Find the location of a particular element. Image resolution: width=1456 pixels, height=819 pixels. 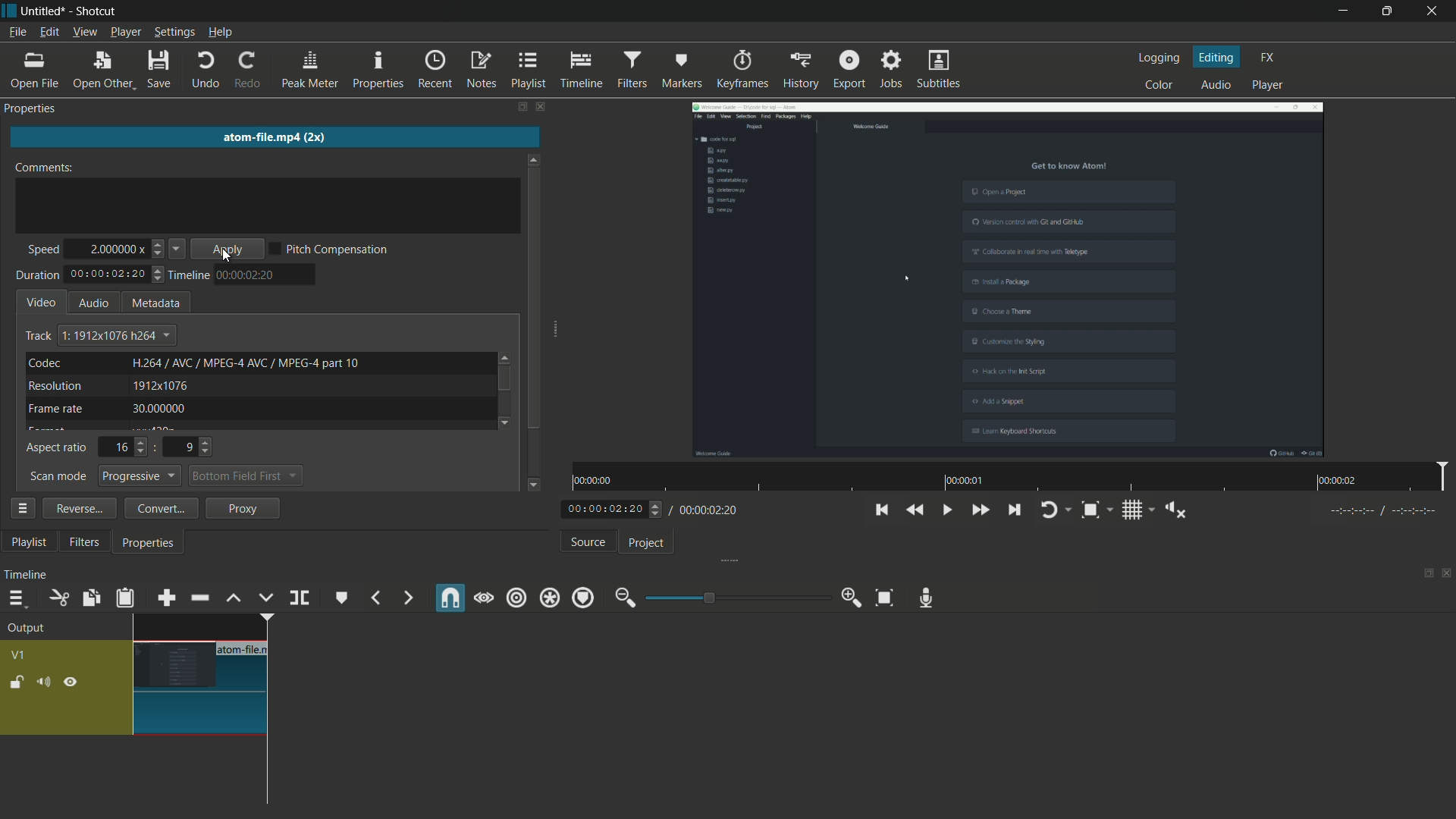

settings menu is located at coordinates (175, 33).